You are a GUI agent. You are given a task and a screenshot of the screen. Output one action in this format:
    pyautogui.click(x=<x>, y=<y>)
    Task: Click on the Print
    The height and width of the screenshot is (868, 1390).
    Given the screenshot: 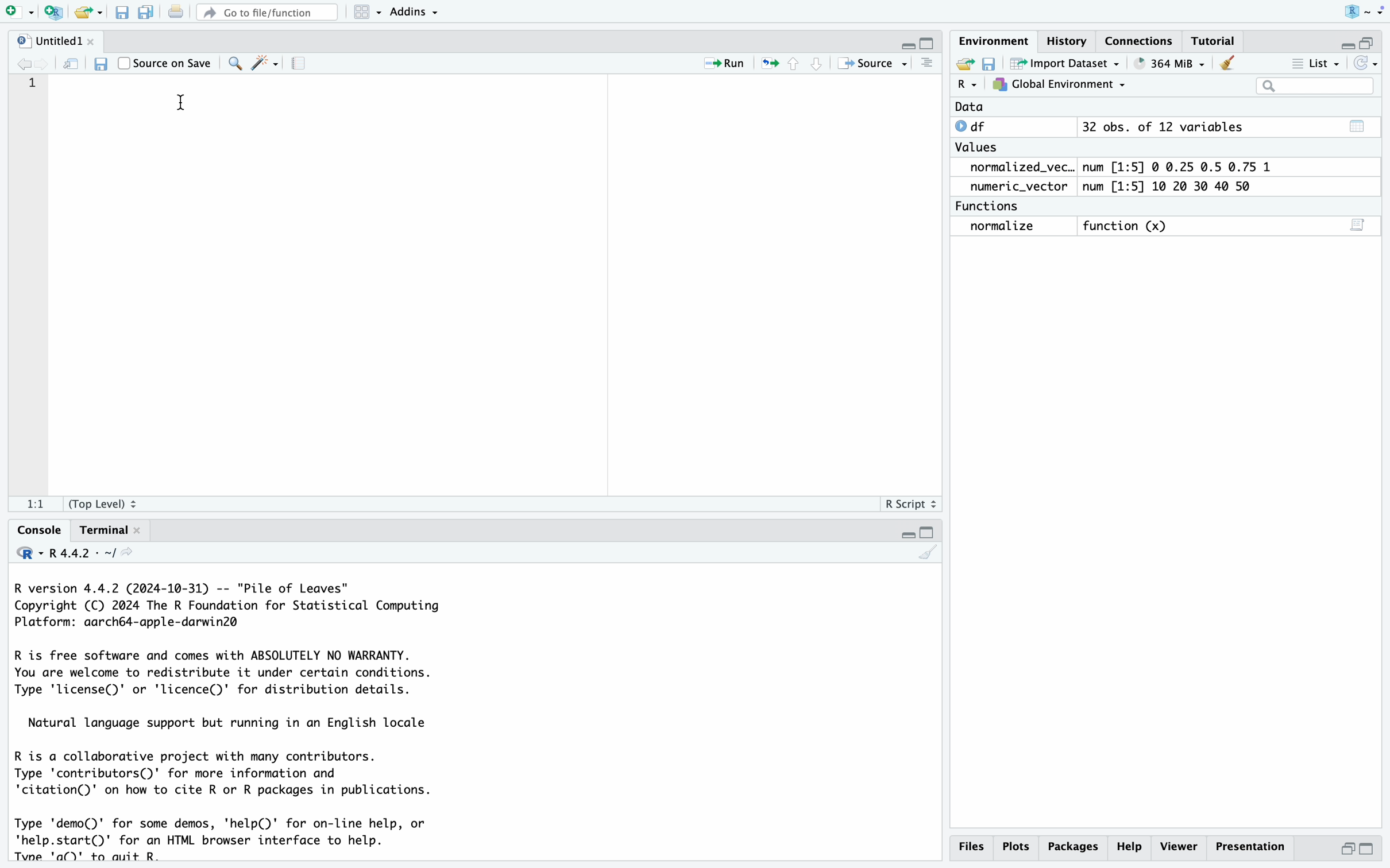 What is the action you would take?
    pyautogui.click(x=175, y=13)
    